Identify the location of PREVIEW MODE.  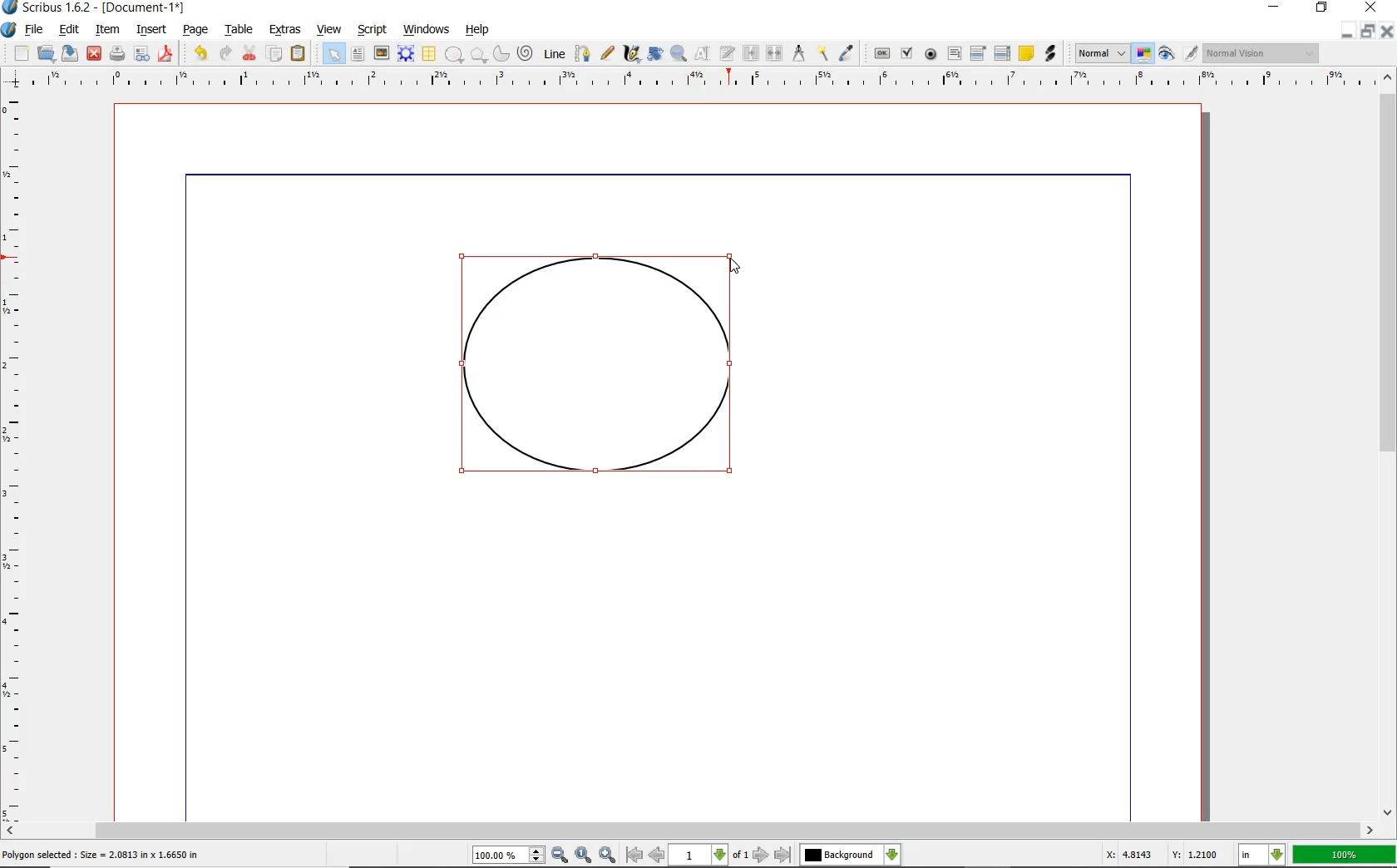
(1165, 54).